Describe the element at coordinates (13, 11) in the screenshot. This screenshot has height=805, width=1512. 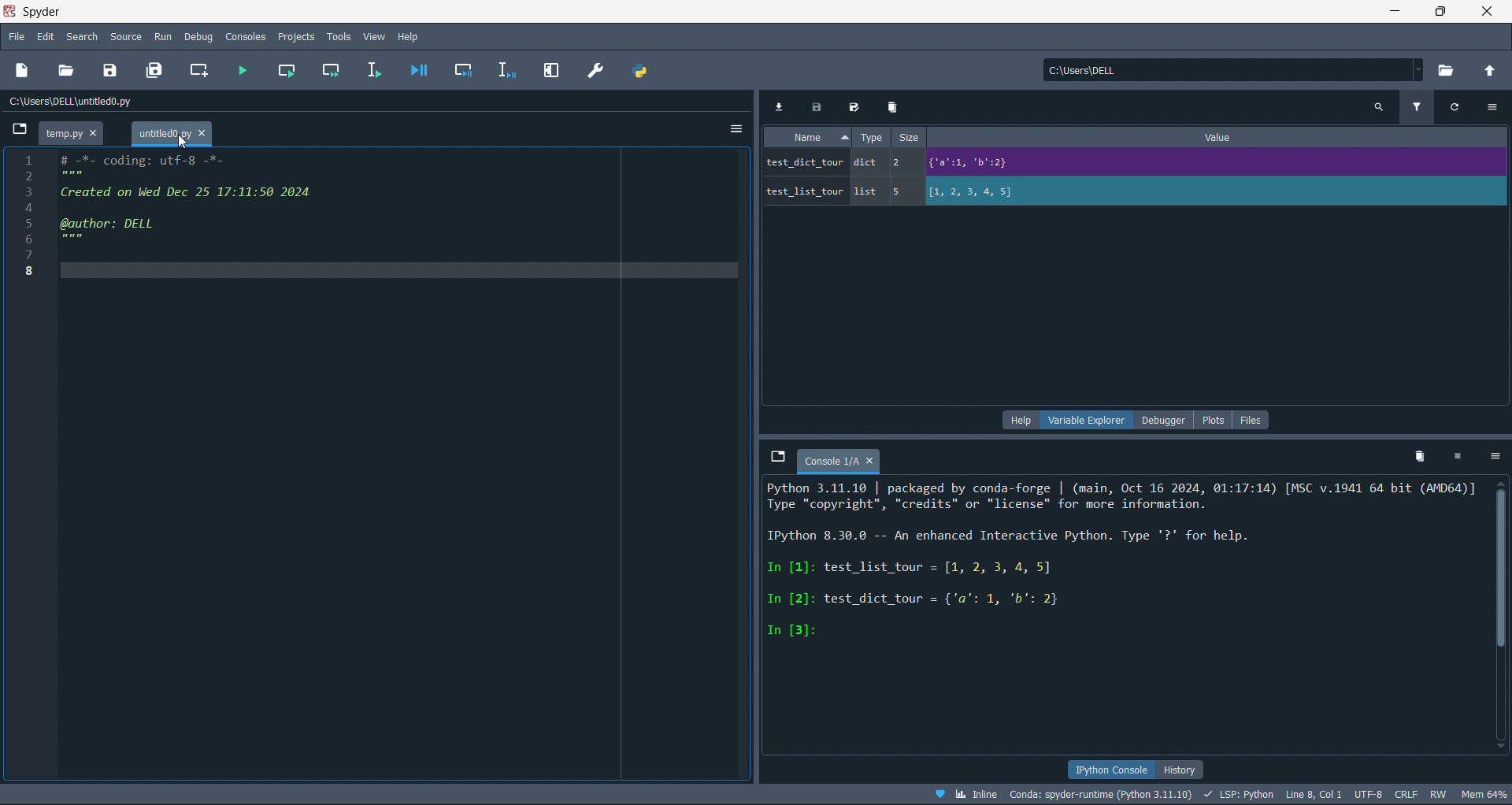
I see `spyder logo` at that location.